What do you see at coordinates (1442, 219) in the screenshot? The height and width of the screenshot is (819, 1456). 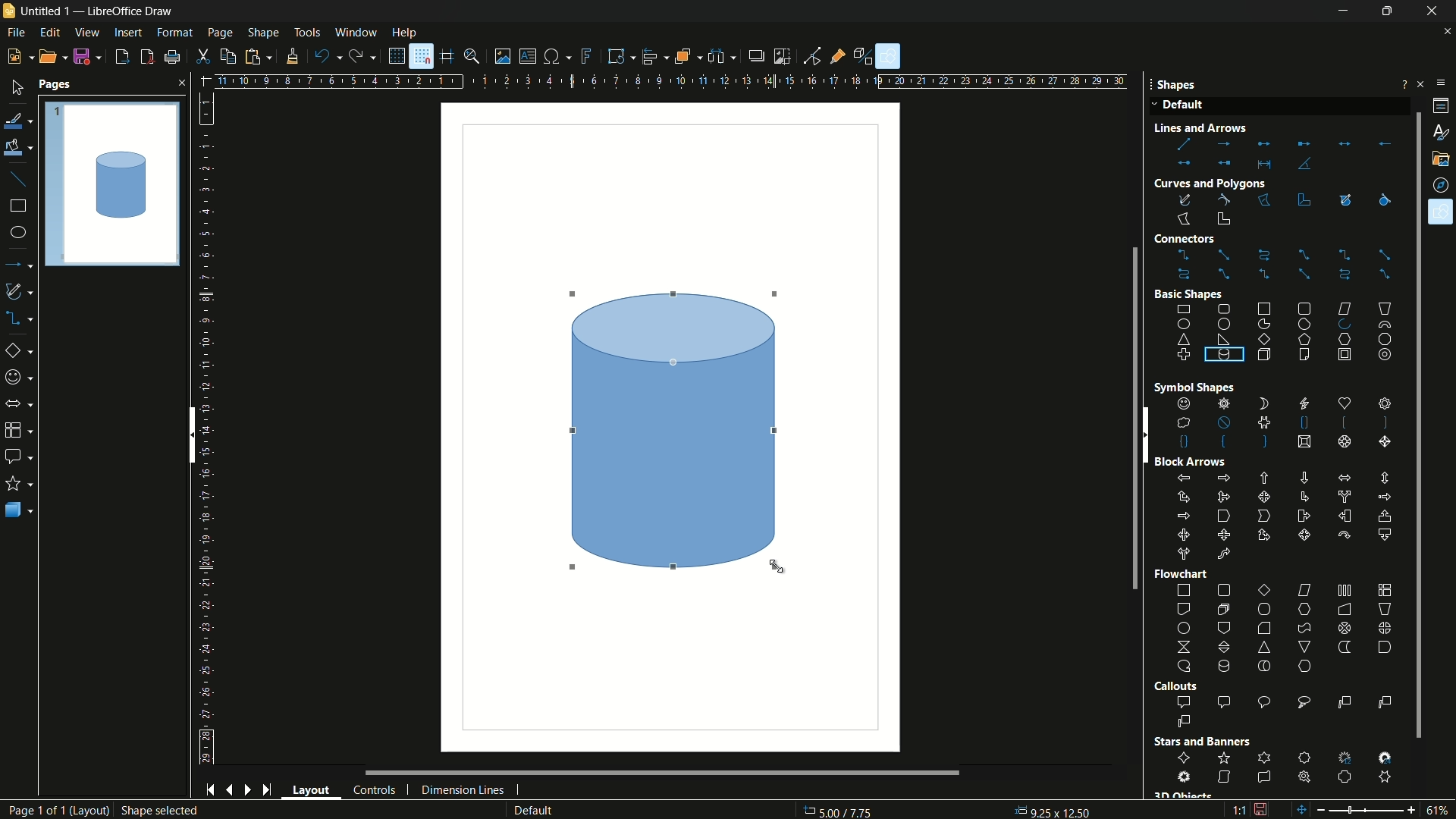 I see `Cursor` at bounding box center [1442, 219].